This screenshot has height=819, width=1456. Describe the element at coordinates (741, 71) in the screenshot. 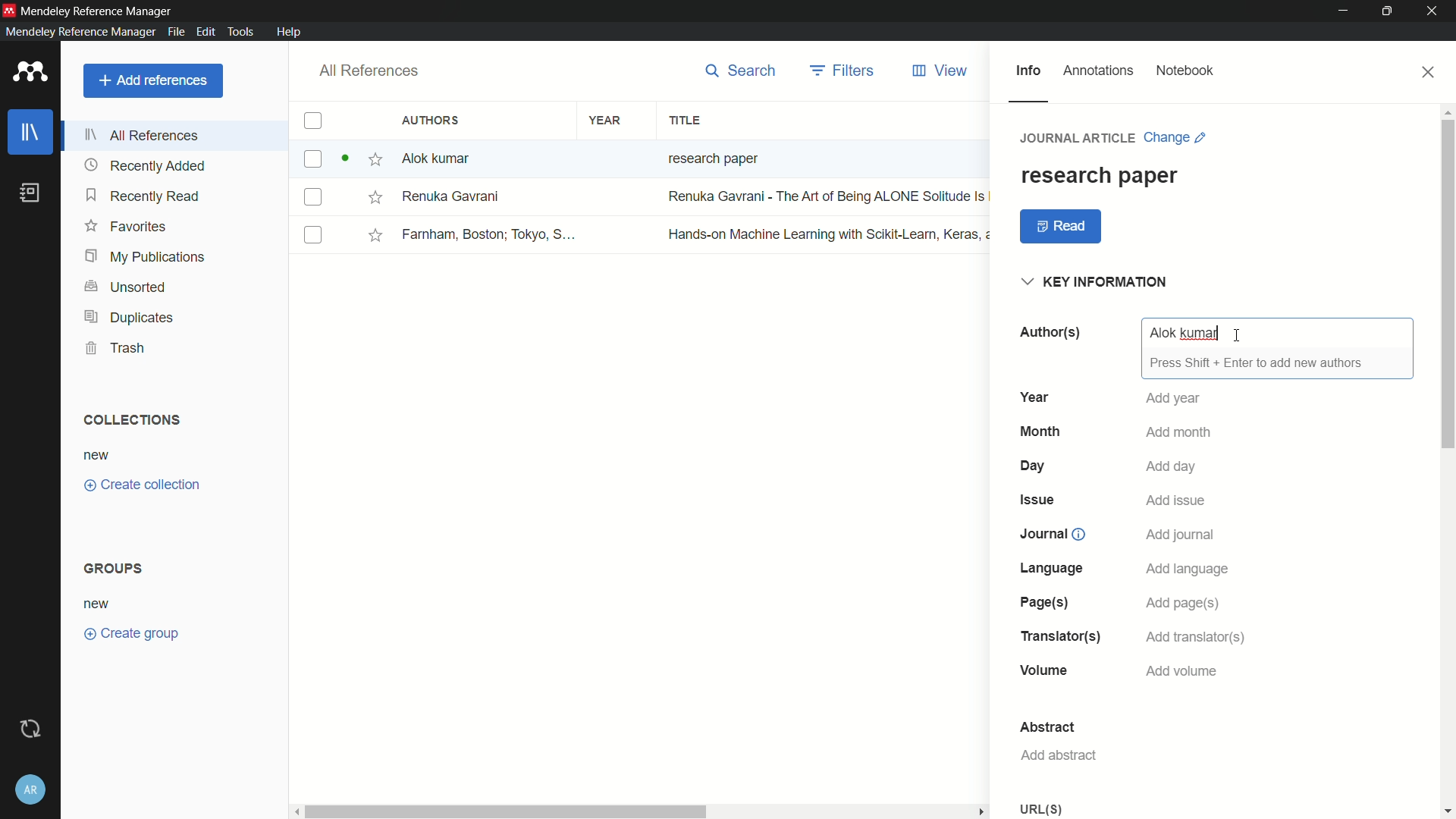

I see `search` at that location.